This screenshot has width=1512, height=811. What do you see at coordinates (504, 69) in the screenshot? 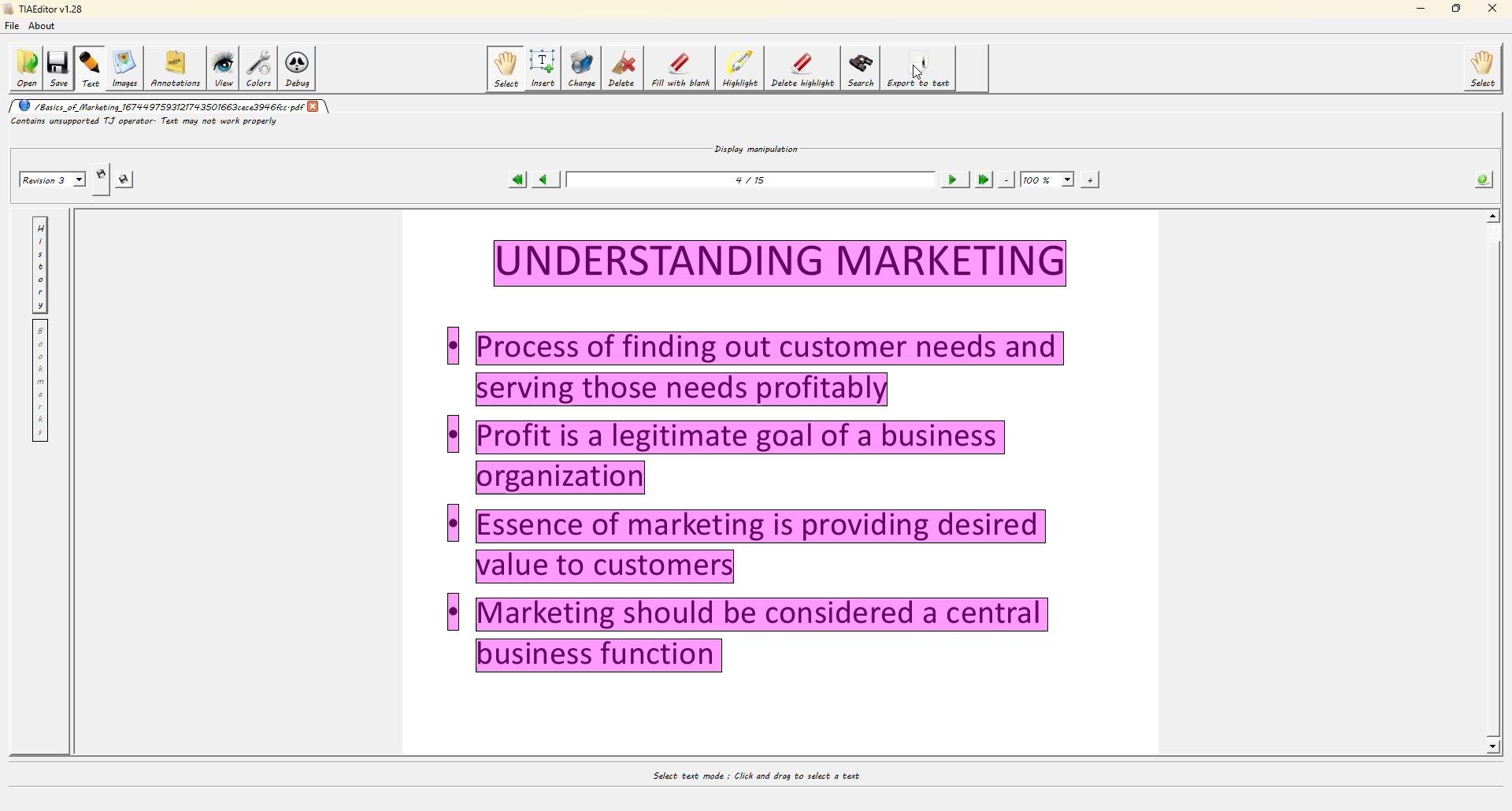
I see `select` at bounding box center [504, 69].